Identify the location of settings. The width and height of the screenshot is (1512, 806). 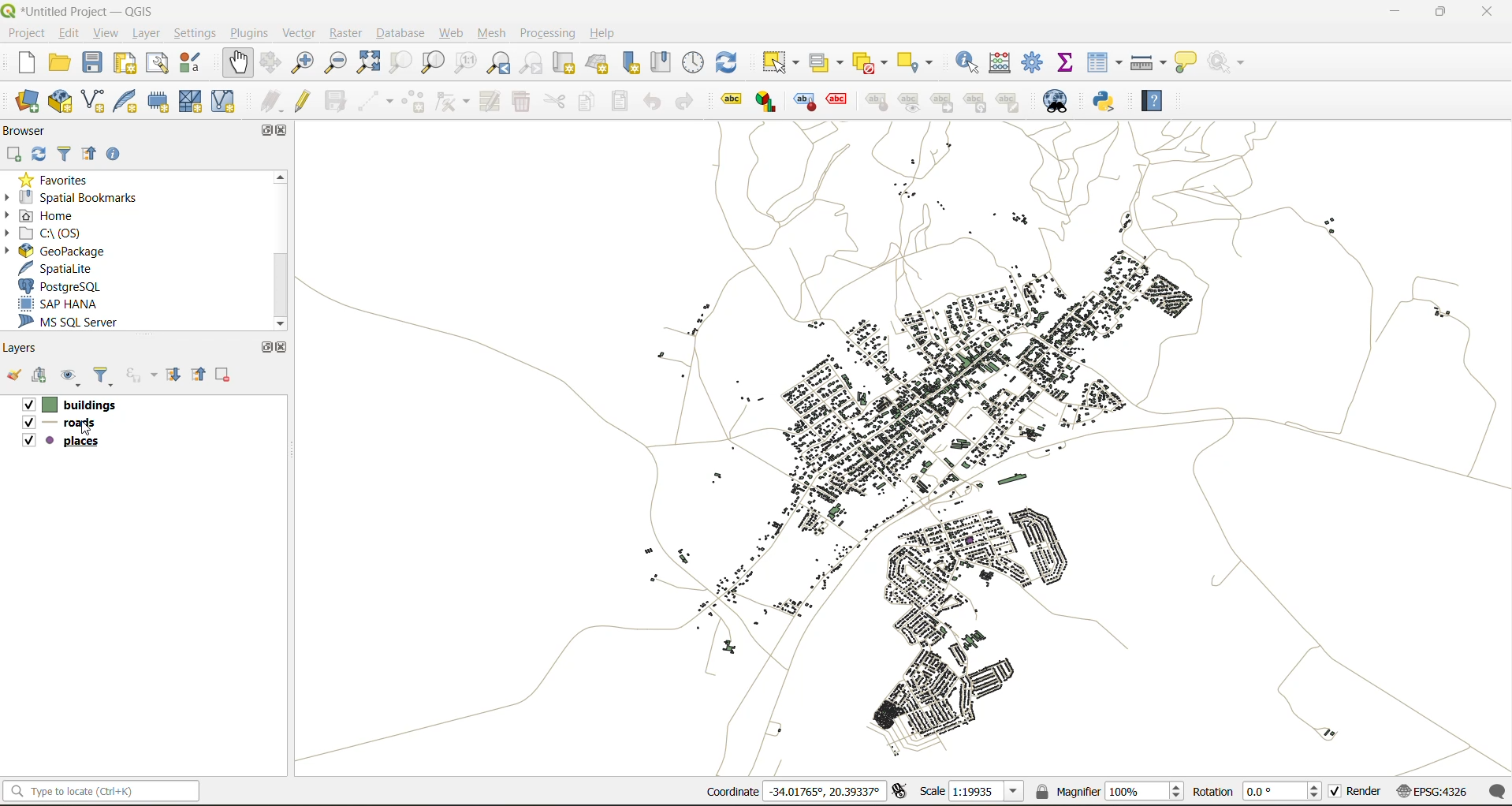
(199, 33).